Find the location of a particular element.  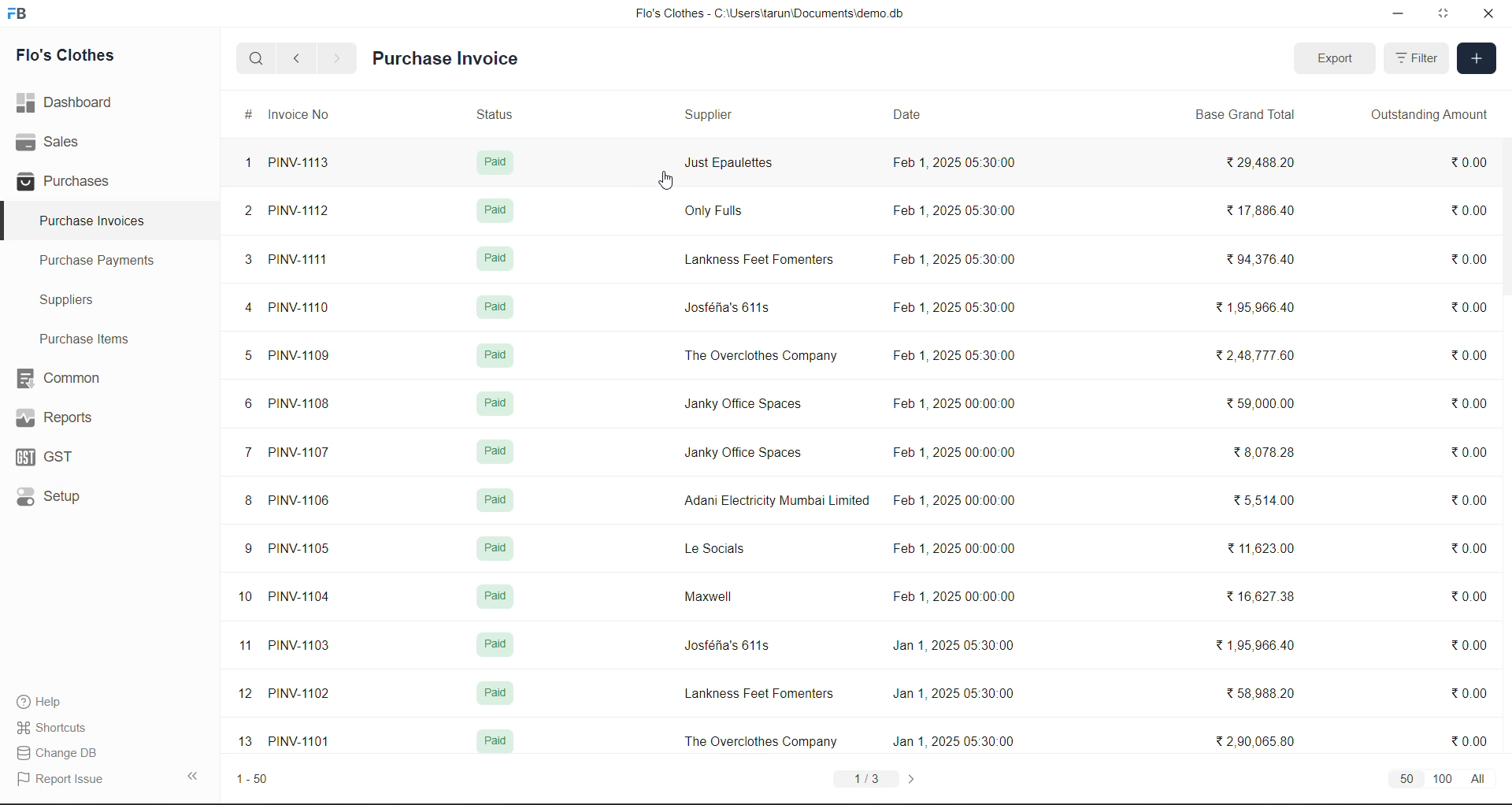

Feb 1, 2025 05:30:00 is located at coordinates (955, 259).